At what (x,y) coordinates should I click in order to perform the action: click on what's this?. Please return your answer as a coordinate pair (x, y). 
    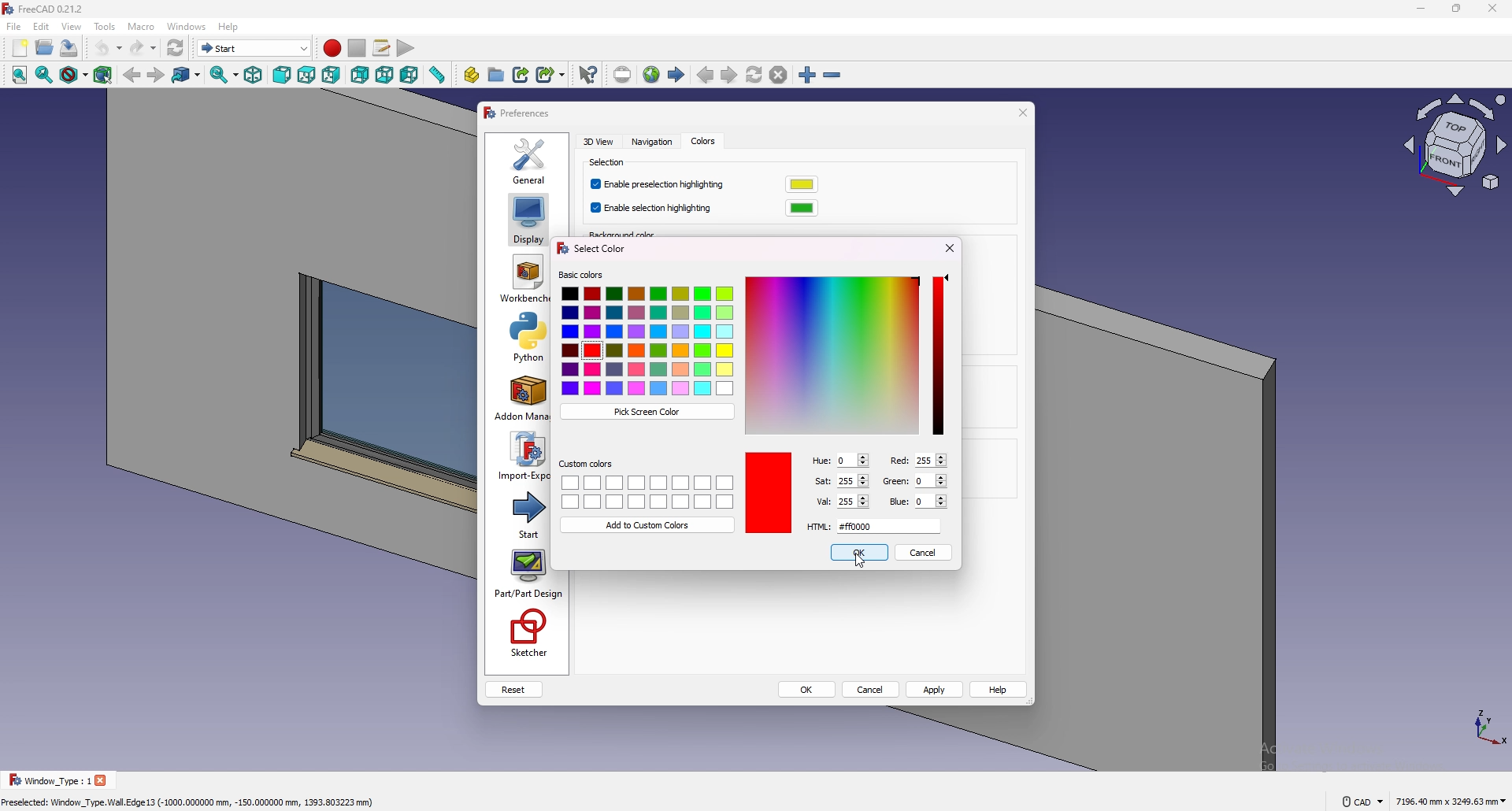
    Looking at the image, I should click on (588, 74).